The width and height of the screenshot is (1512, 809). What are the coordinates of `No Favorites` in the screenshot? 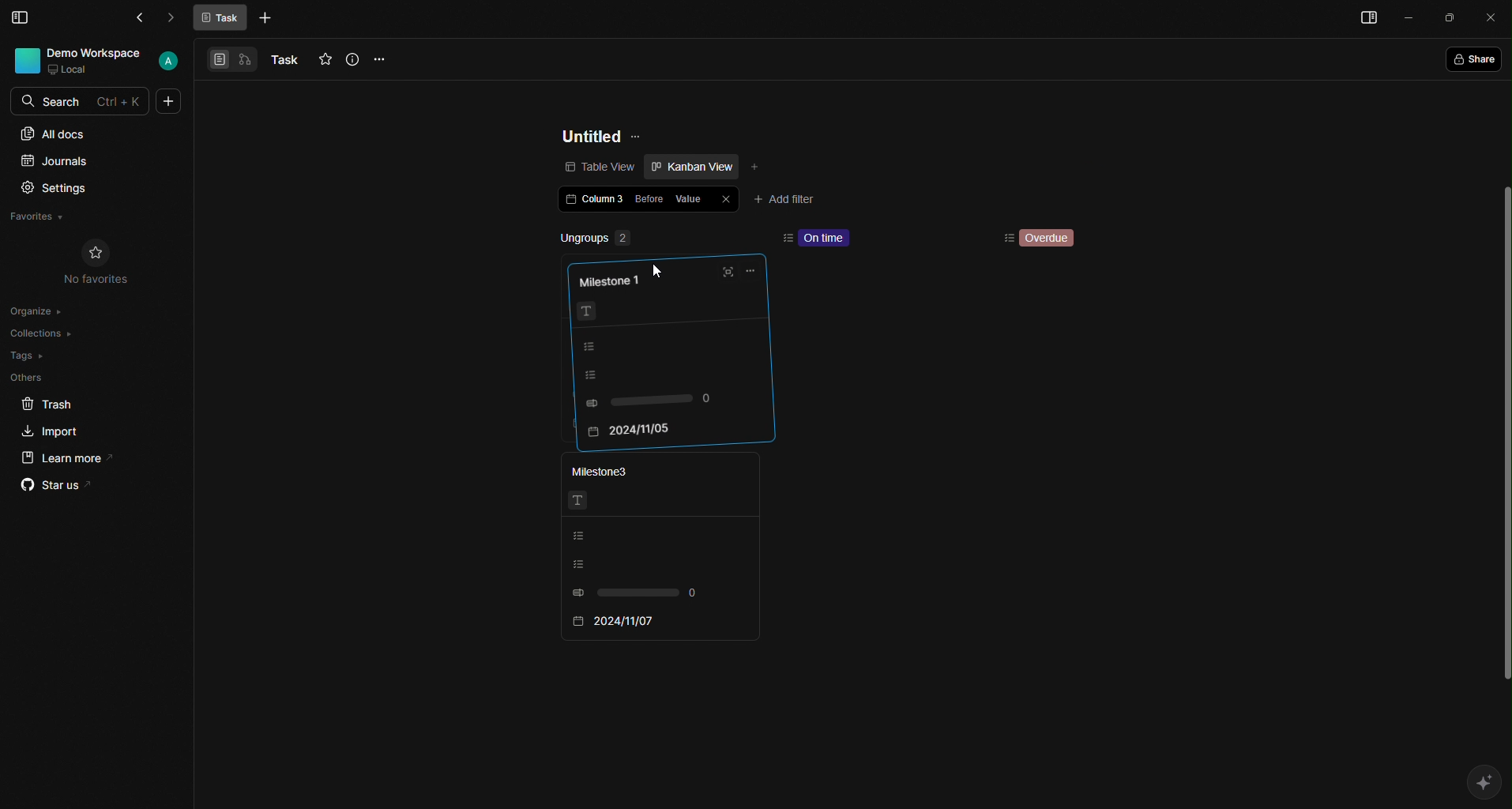 It's located at (96, 263).